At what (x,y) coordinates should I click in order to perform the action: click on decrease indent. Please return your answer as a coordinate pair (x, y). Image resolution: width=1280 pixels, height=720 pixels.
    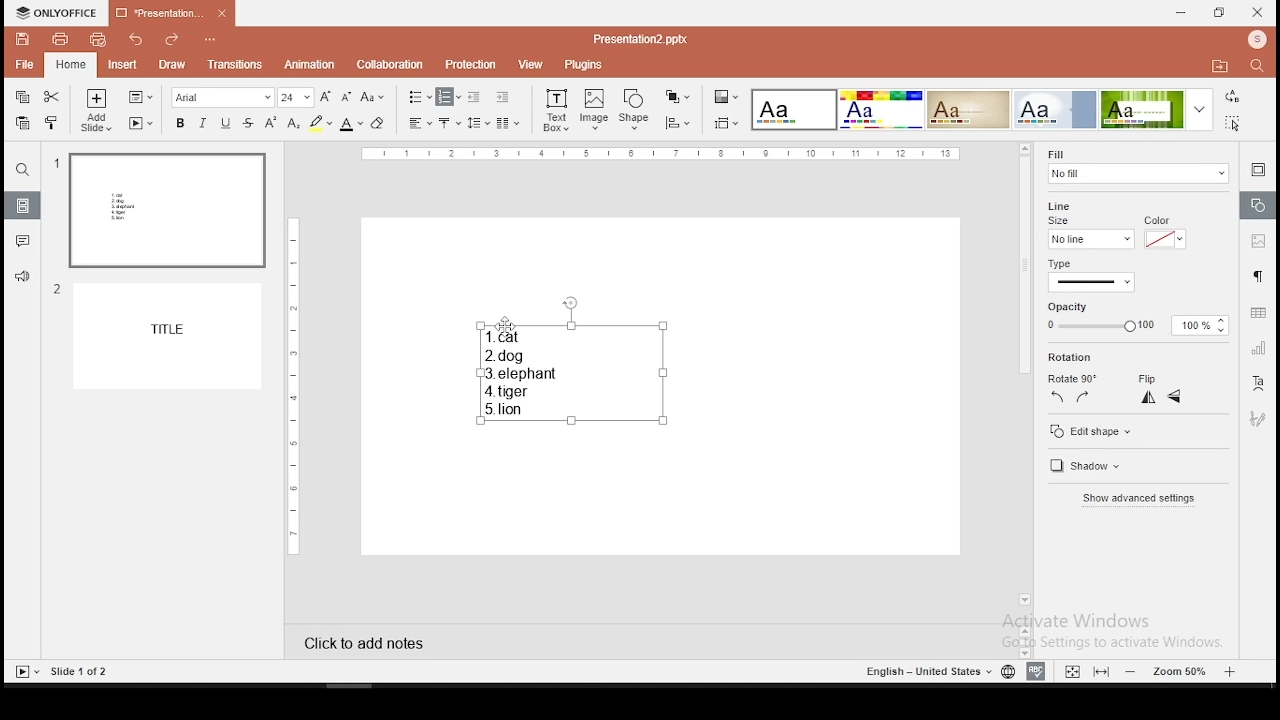
    Looking at the image, I should click on (476, 96).